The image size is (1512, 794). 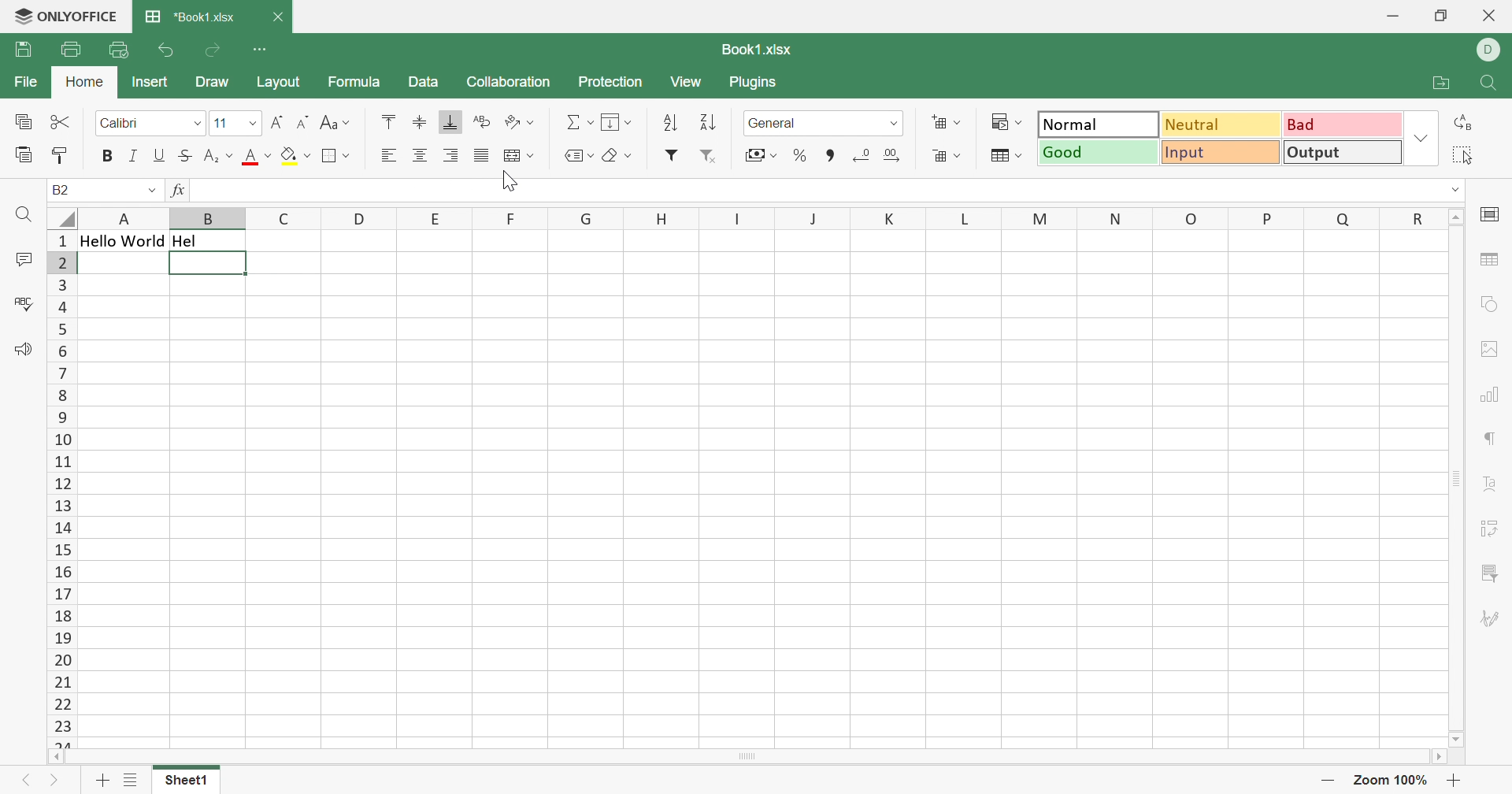 I want to click on Redo, so click(x=212, y=52).